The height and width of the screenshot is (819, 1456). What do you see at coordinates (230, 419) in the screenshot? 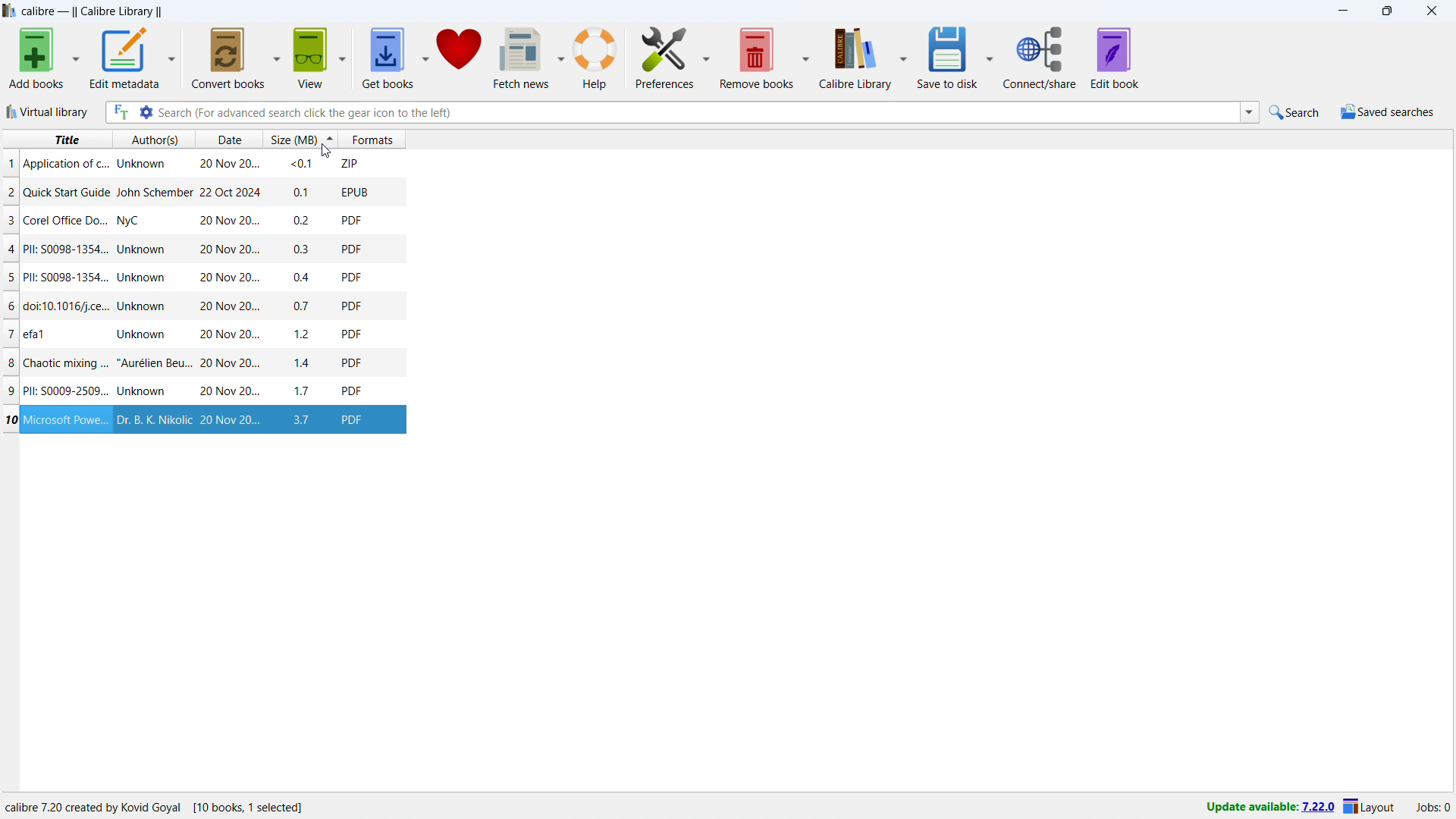
I see `date` at bounding box center [230, 419].